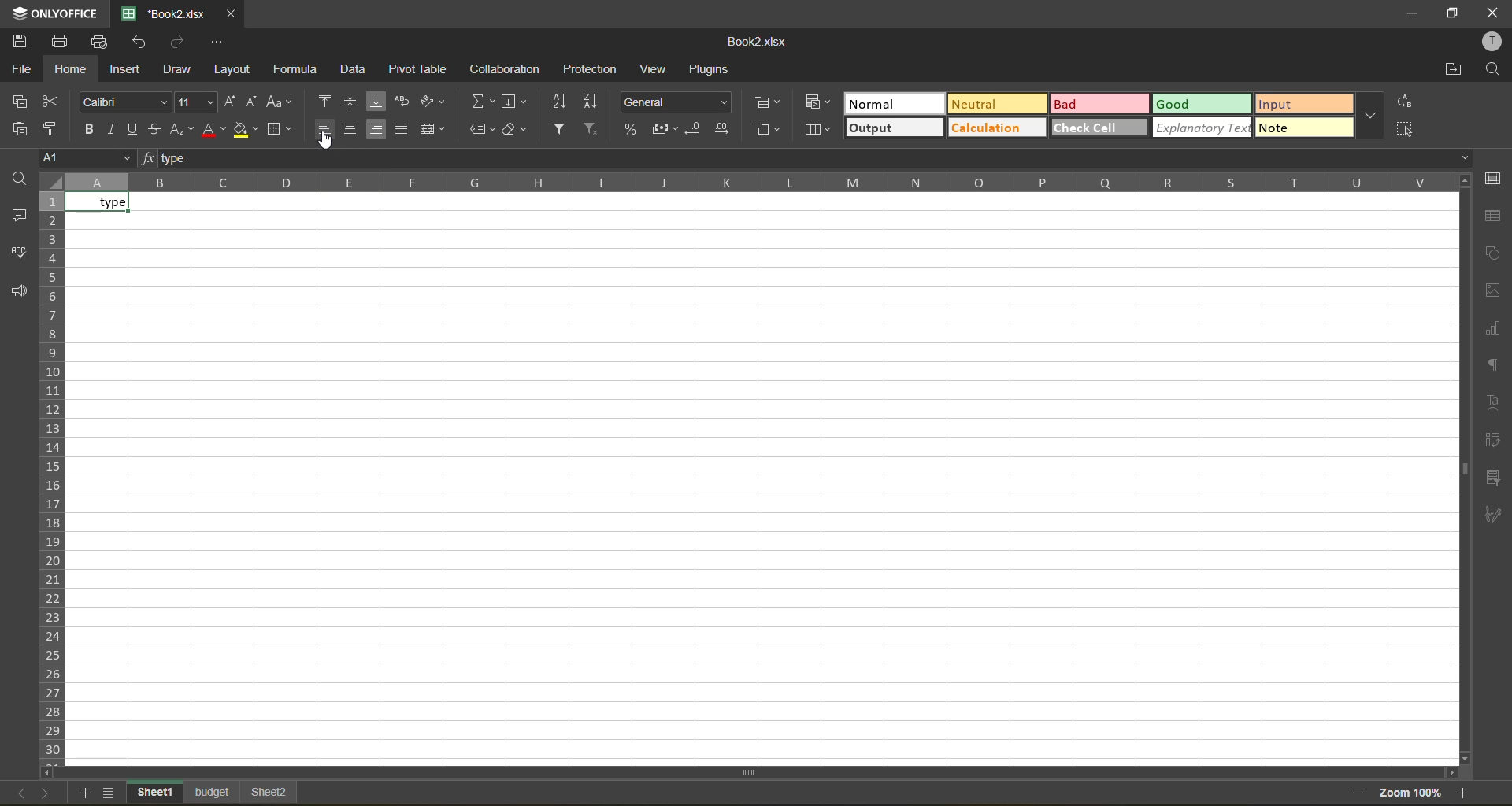 Image resolution: width=1512 pixels, height=806 pixels. What do you see at coordinates (301, 68) in the screenshot?
I see `formula` at bounding box center [301, 68].